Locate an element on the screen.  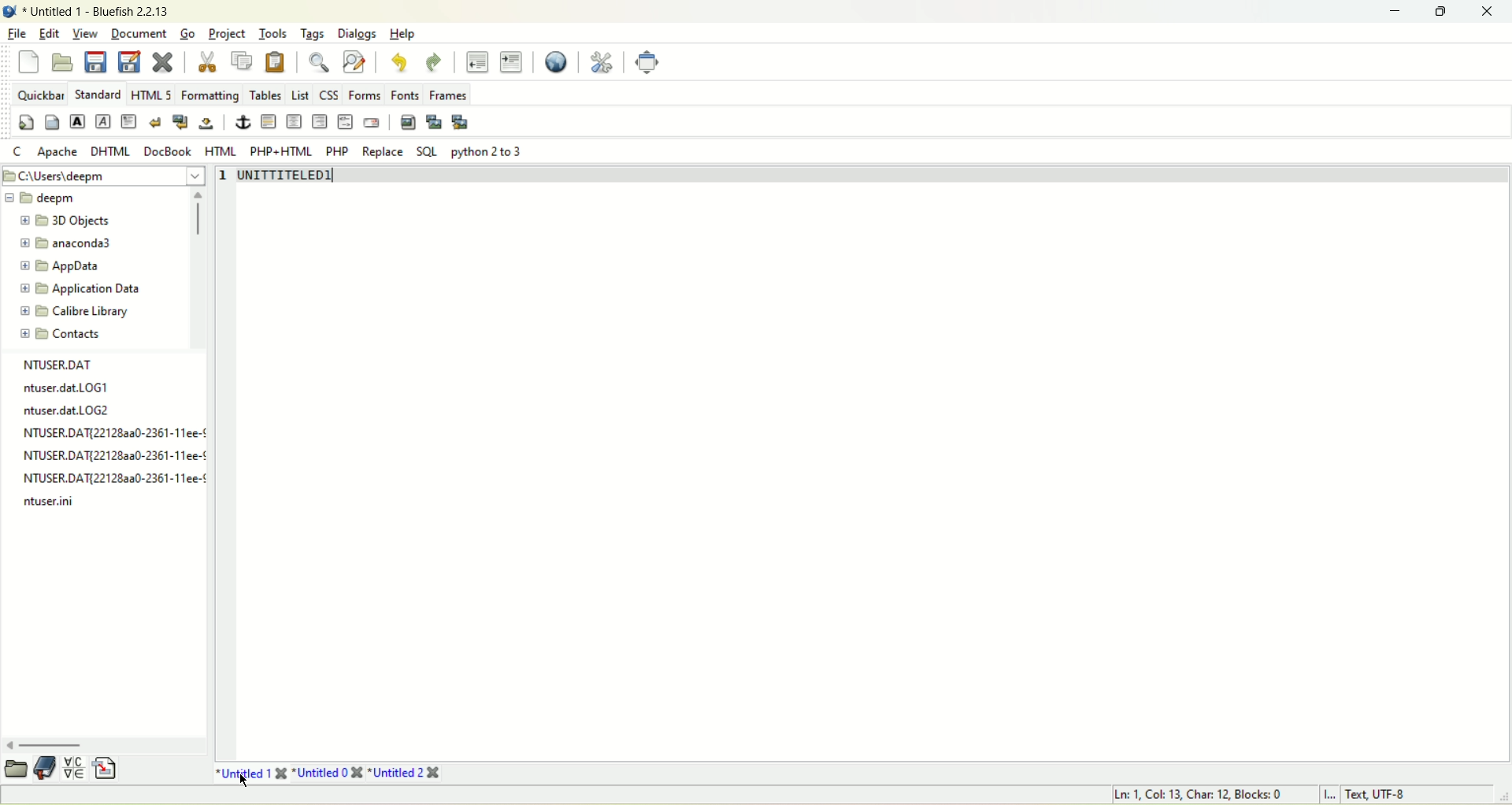
quickbar is located at coordinates (39, 92).